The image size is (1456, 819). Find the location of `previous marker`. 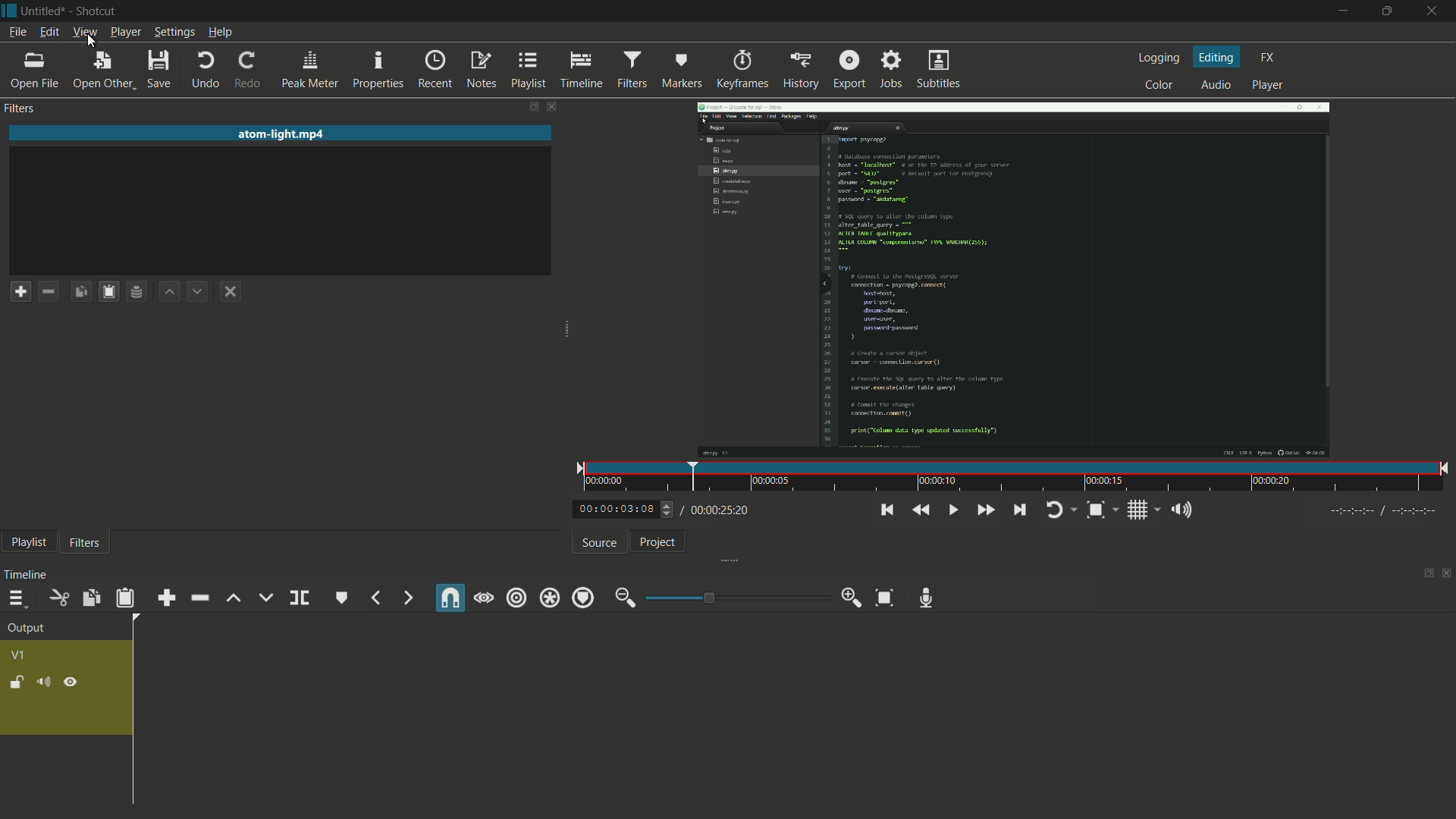

previous marker is located at coordinates (375, 599).